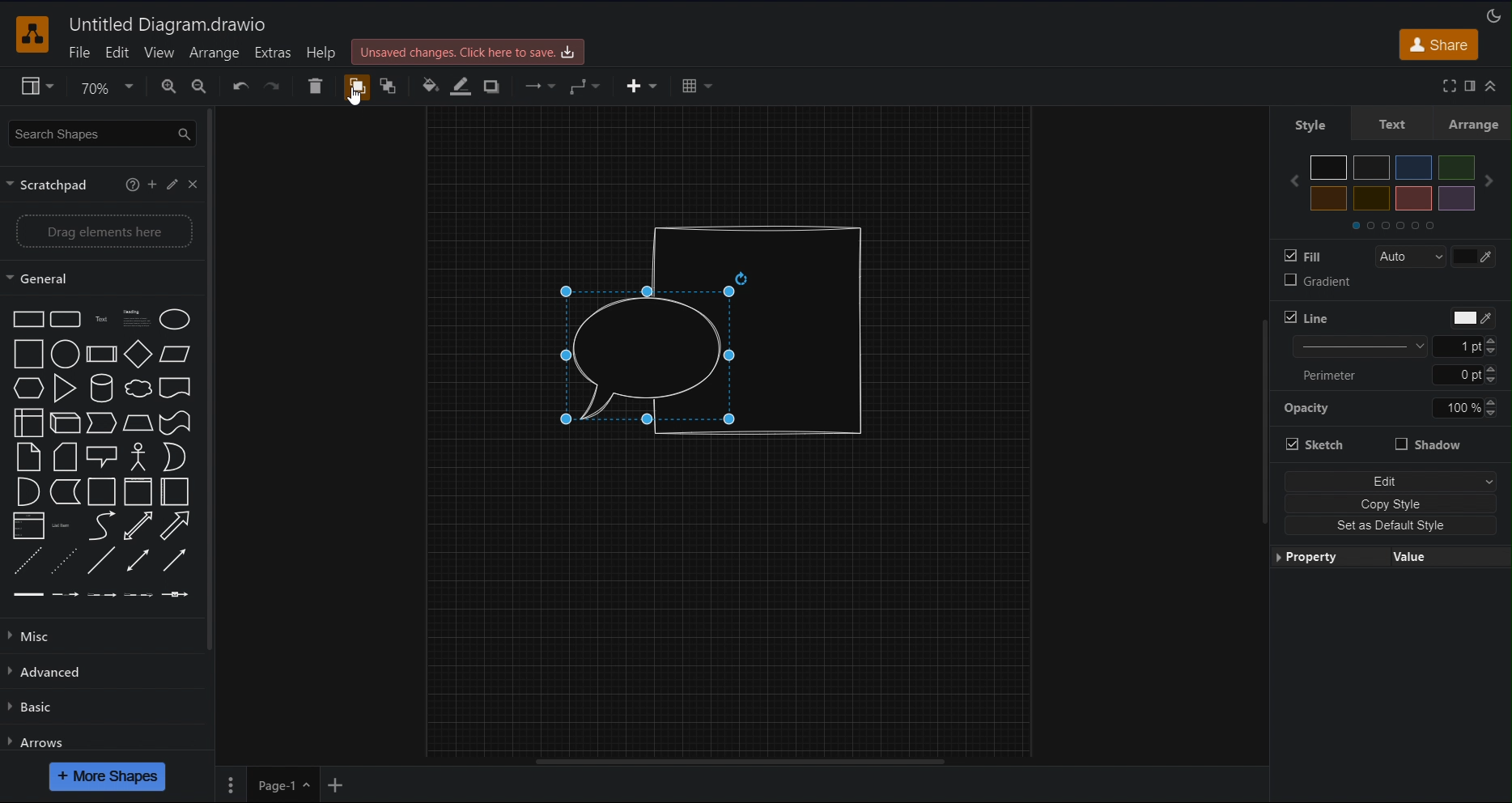  What do you see at coordinates (101, 595) in the screenshot?
I see `Connector with 2 labels` at bounding box center [101, 595].